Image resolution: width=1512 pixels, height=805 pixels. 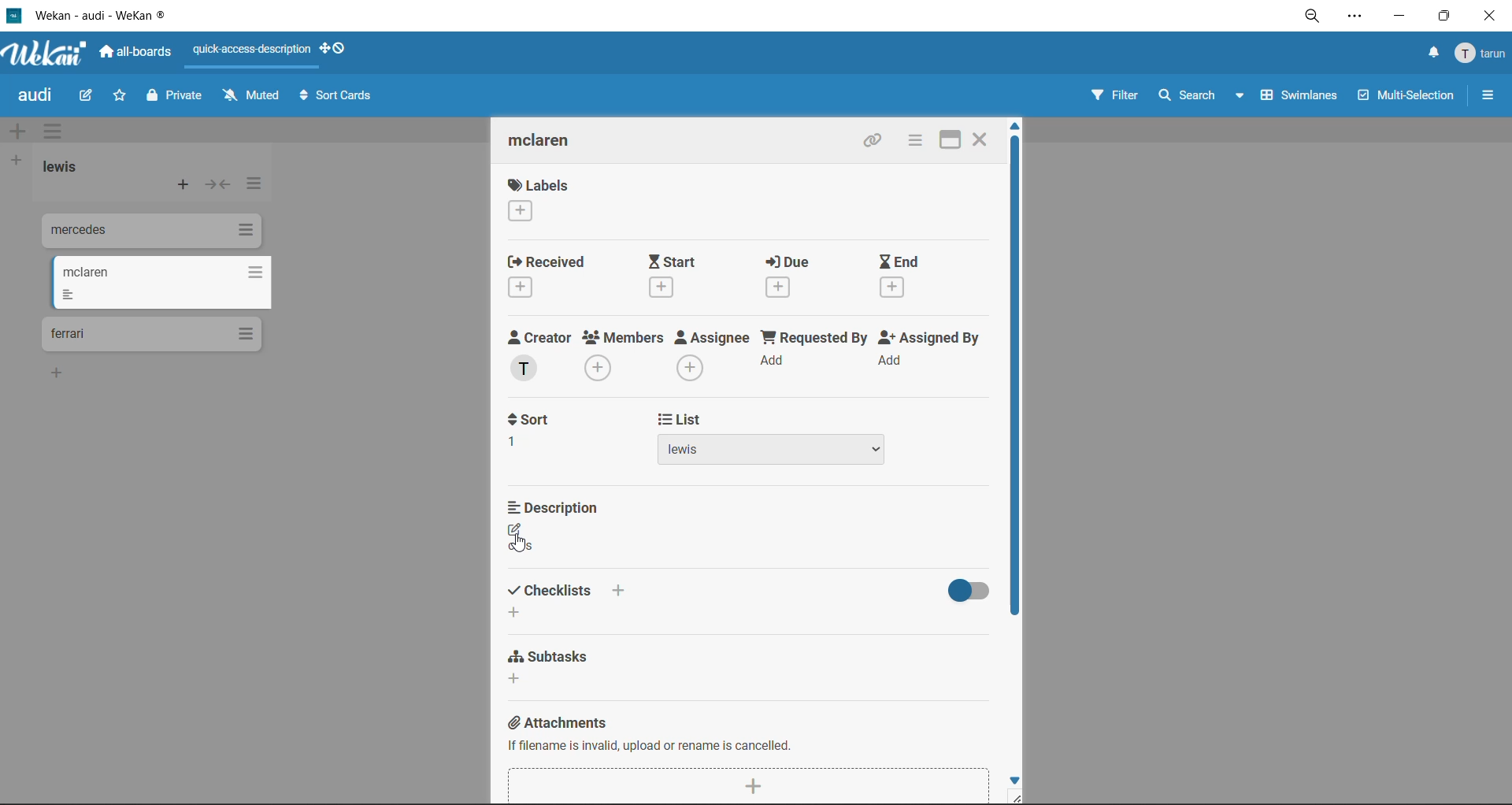 What do you see at coordinates (335, 99) in the screenshot?
I see `sort cards` at bounding box center [335, 99].